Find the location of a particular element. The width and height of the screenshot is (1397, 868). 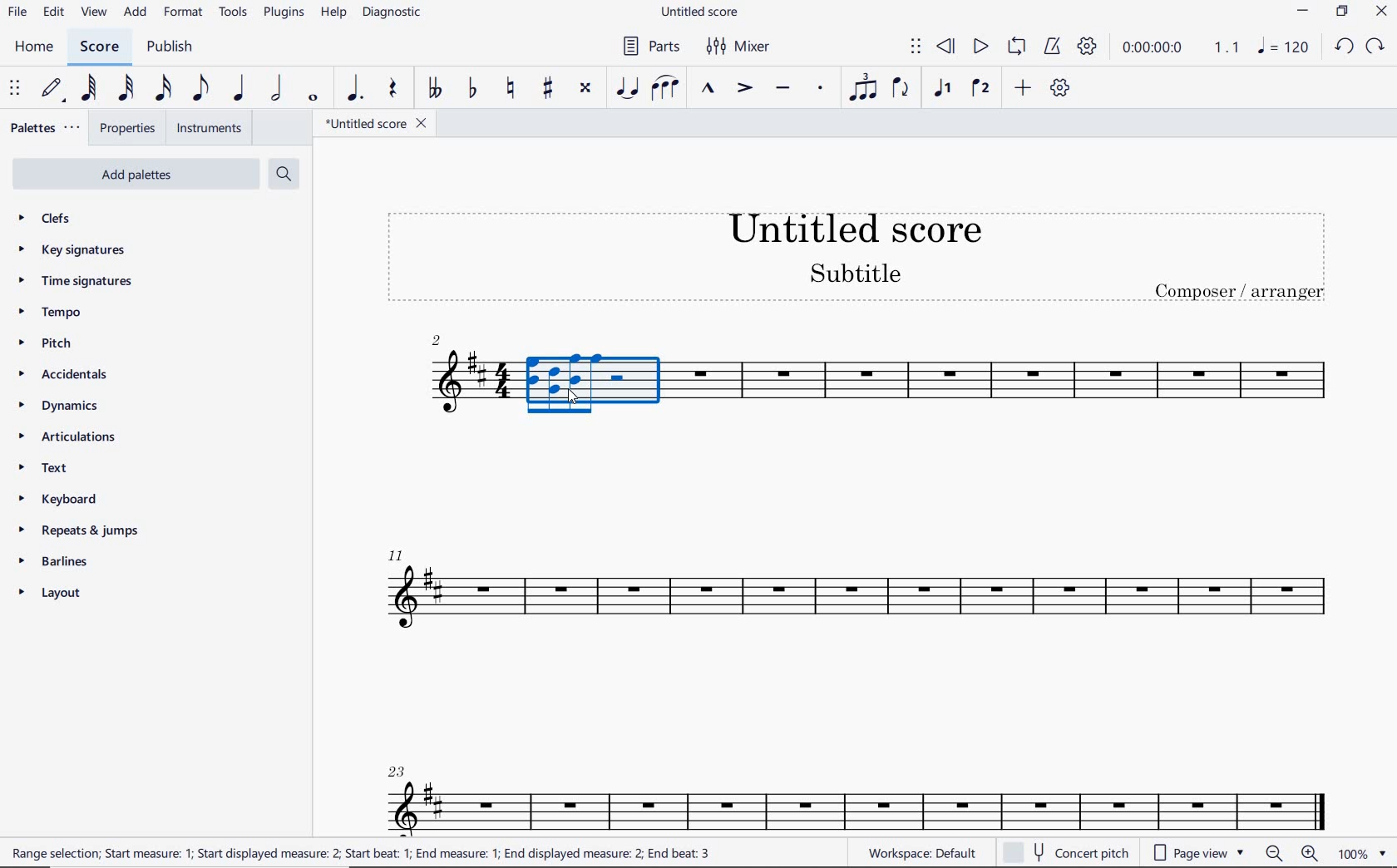

KEY SIGNATURES is located at coordinates (77, 249).